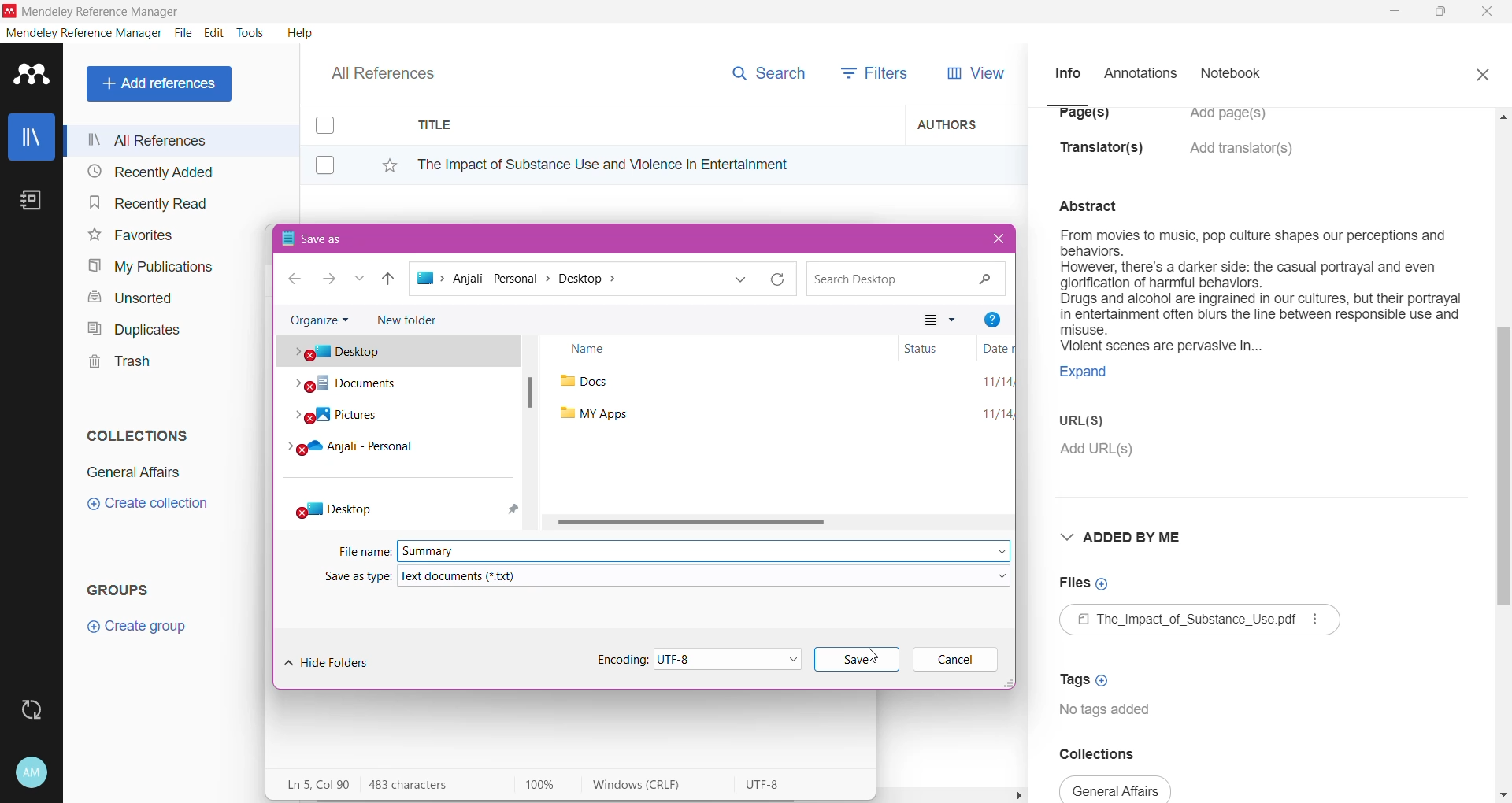 The width and height of the screenshot is (1512, 803). I want to click on All References, so click(180, 140).